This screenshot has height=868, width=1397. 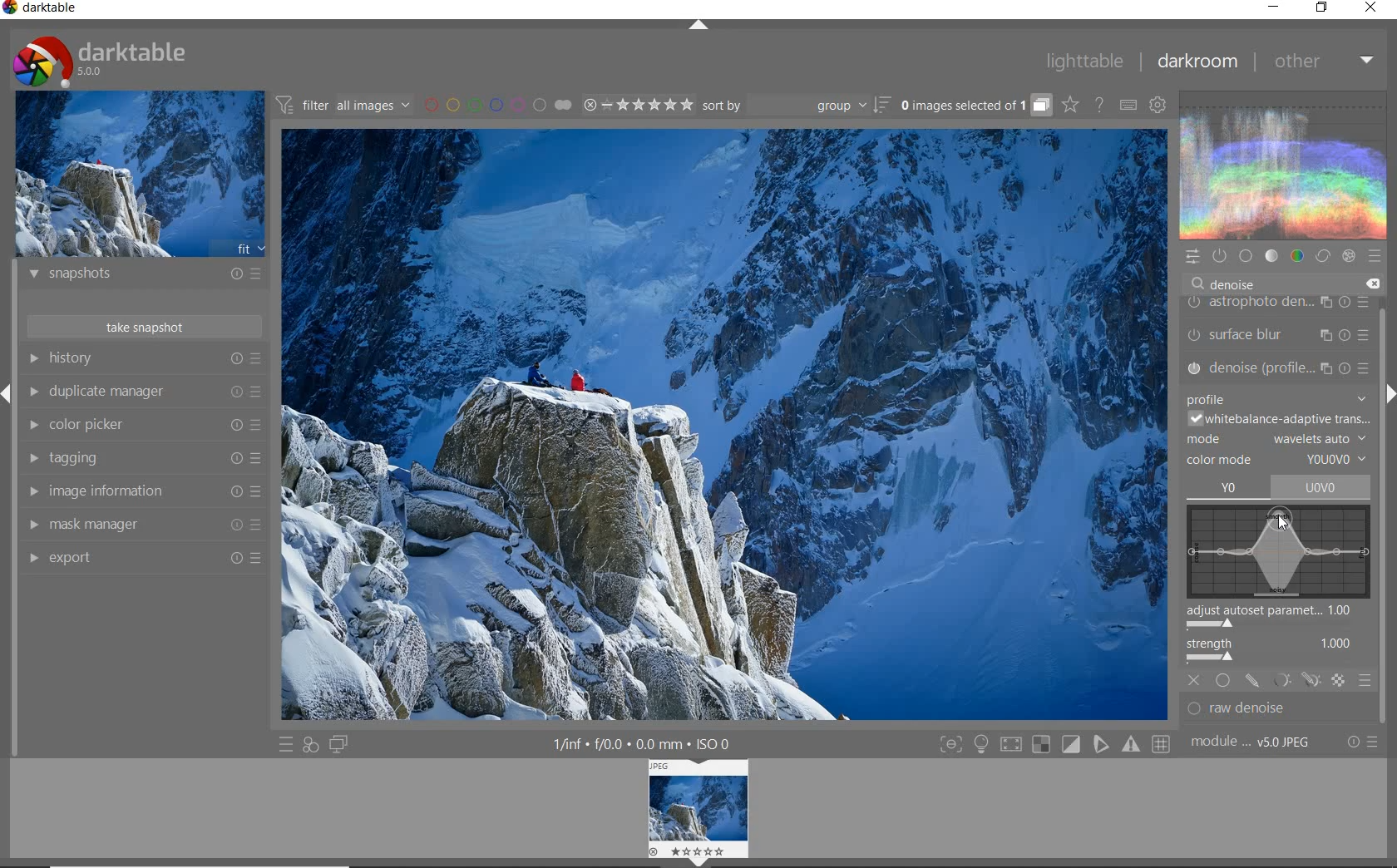 I want to click on lighttable, so click(x=1085, y=60).